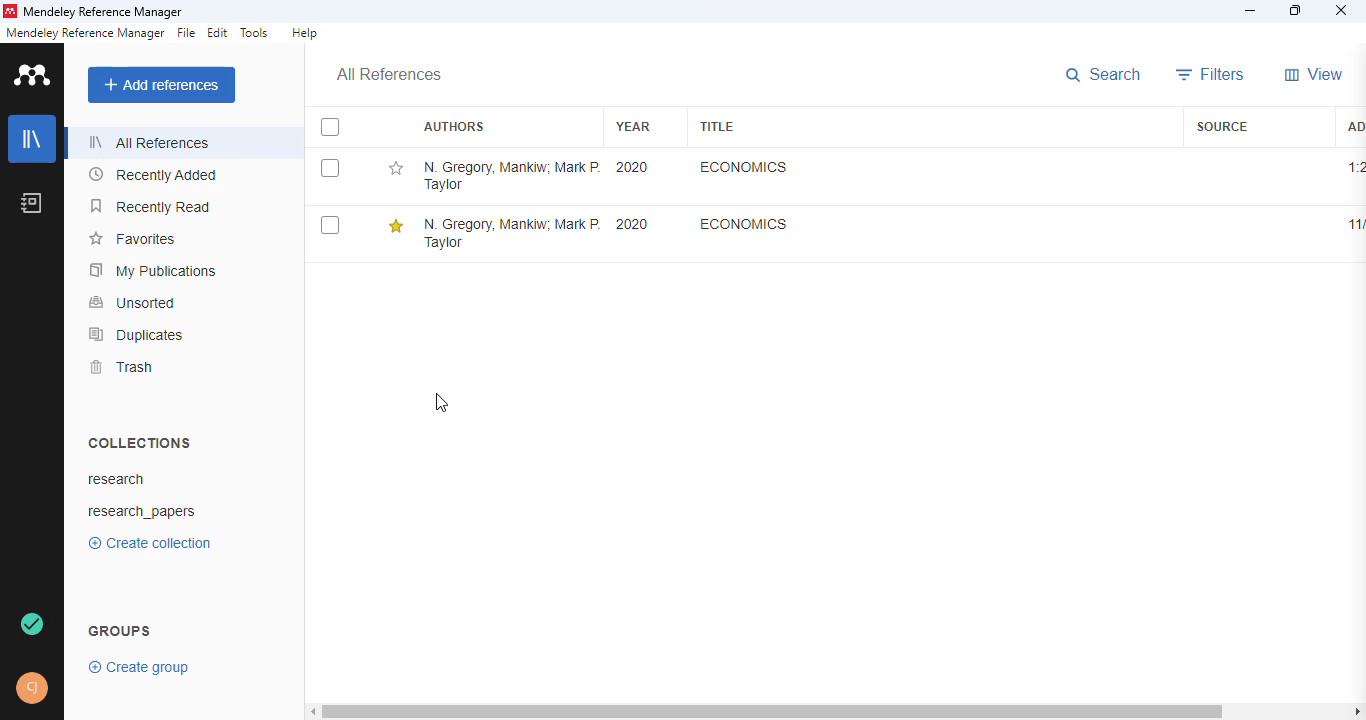 The width and height of the screenshot is (1366, 720). I want to click on select, so click(329, 225).